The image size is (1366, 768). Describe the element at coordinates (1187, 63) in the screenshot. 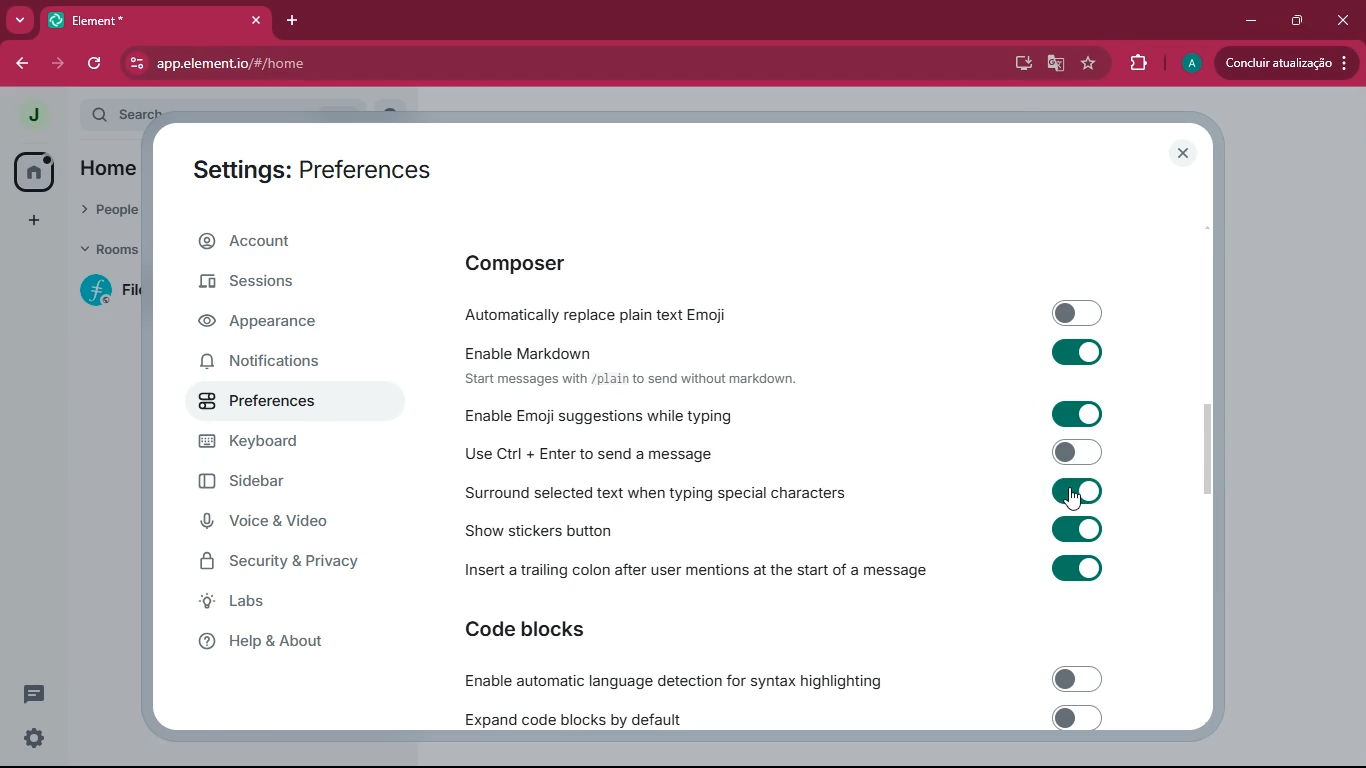

I see `profile` at that location.